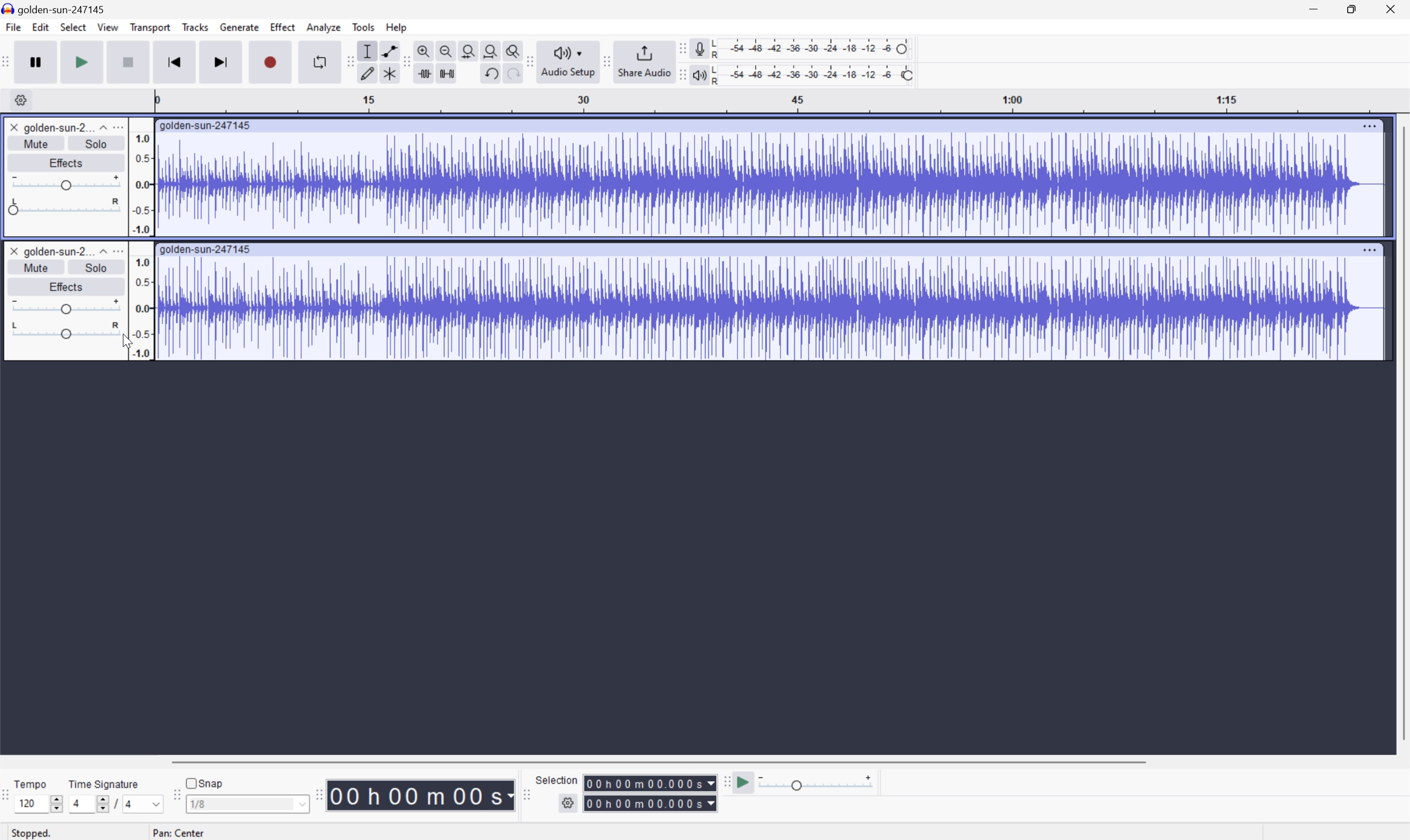 The width and height of the screenshot is (1410, 840). Describe the element at coordinates (179, 793) in the screenshot. I see `Audacity Snapping toolbar` at that location.